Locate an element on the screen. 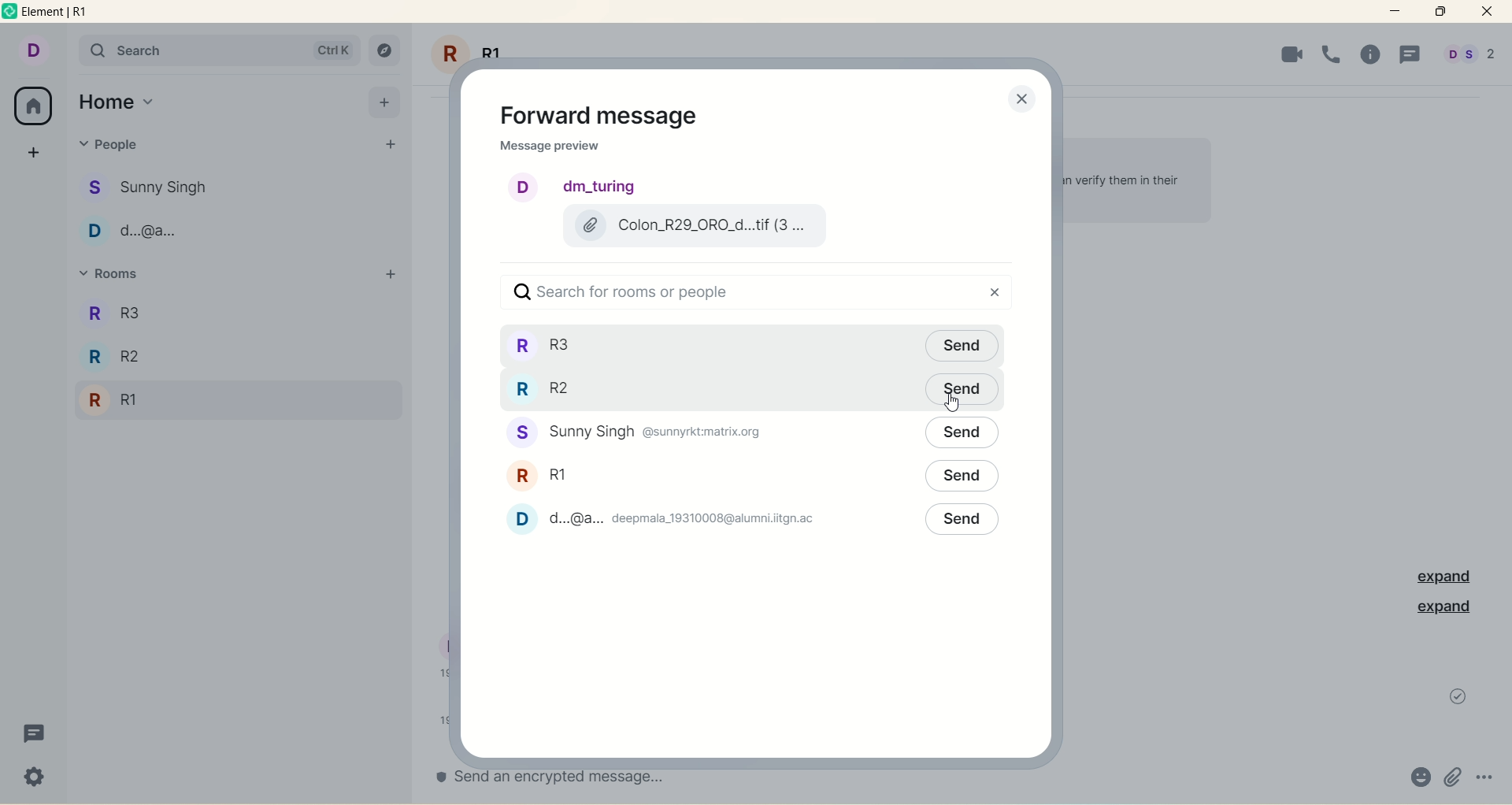 Image resolution: width=1512 pixels, height=805 pixels. room is located at coordinates (540, 473).